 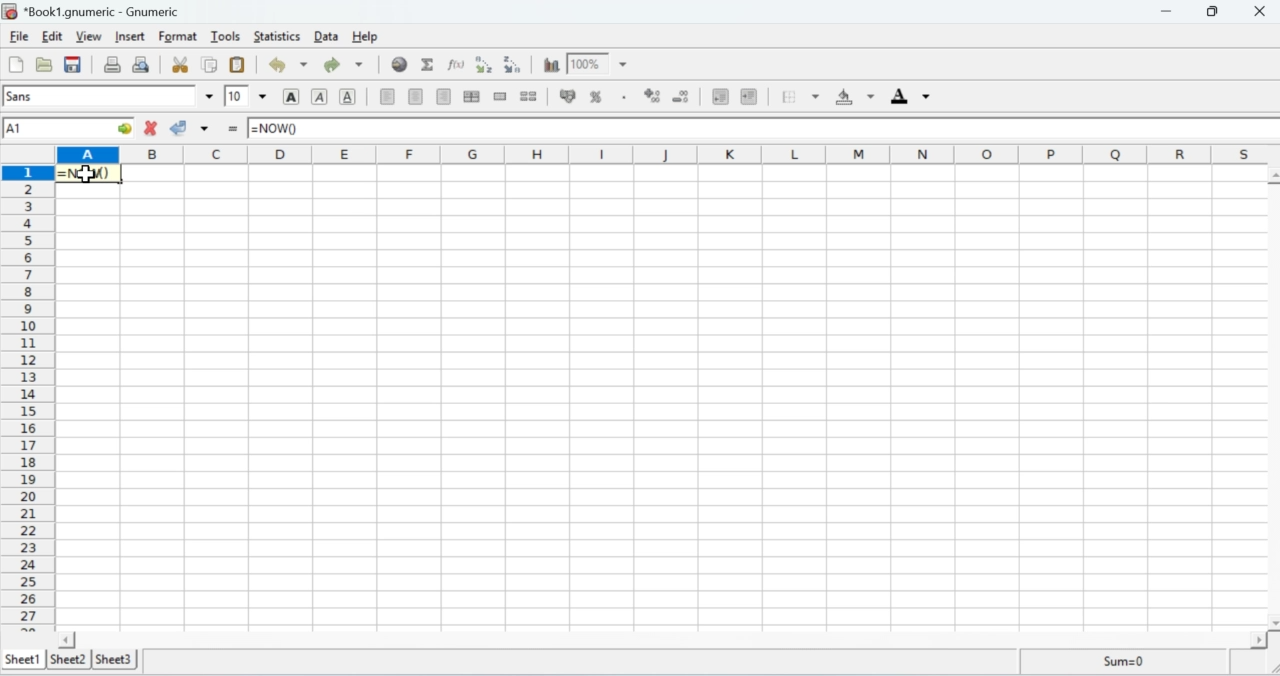 What do you see at coordinates (750, 96) in the screenshot?
I see `Increase the indent, and align the contents to the left` at bounding box center [750, 96].